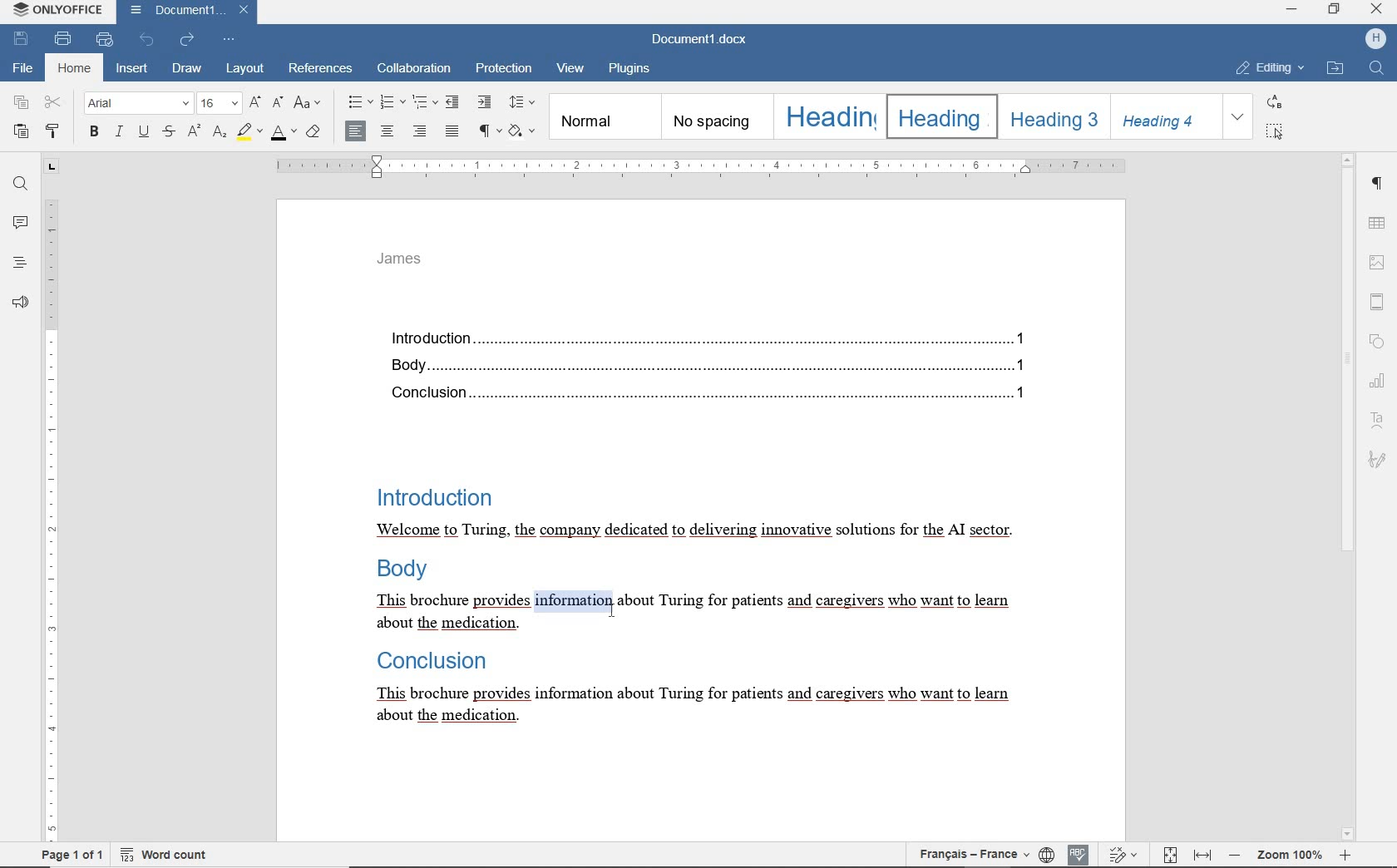 The height and width of the screenshot is (868, 1397). Describe the element at coordinates (1377, 301) in the screenshot. I see `HEADER AND FOOTER` at that location.